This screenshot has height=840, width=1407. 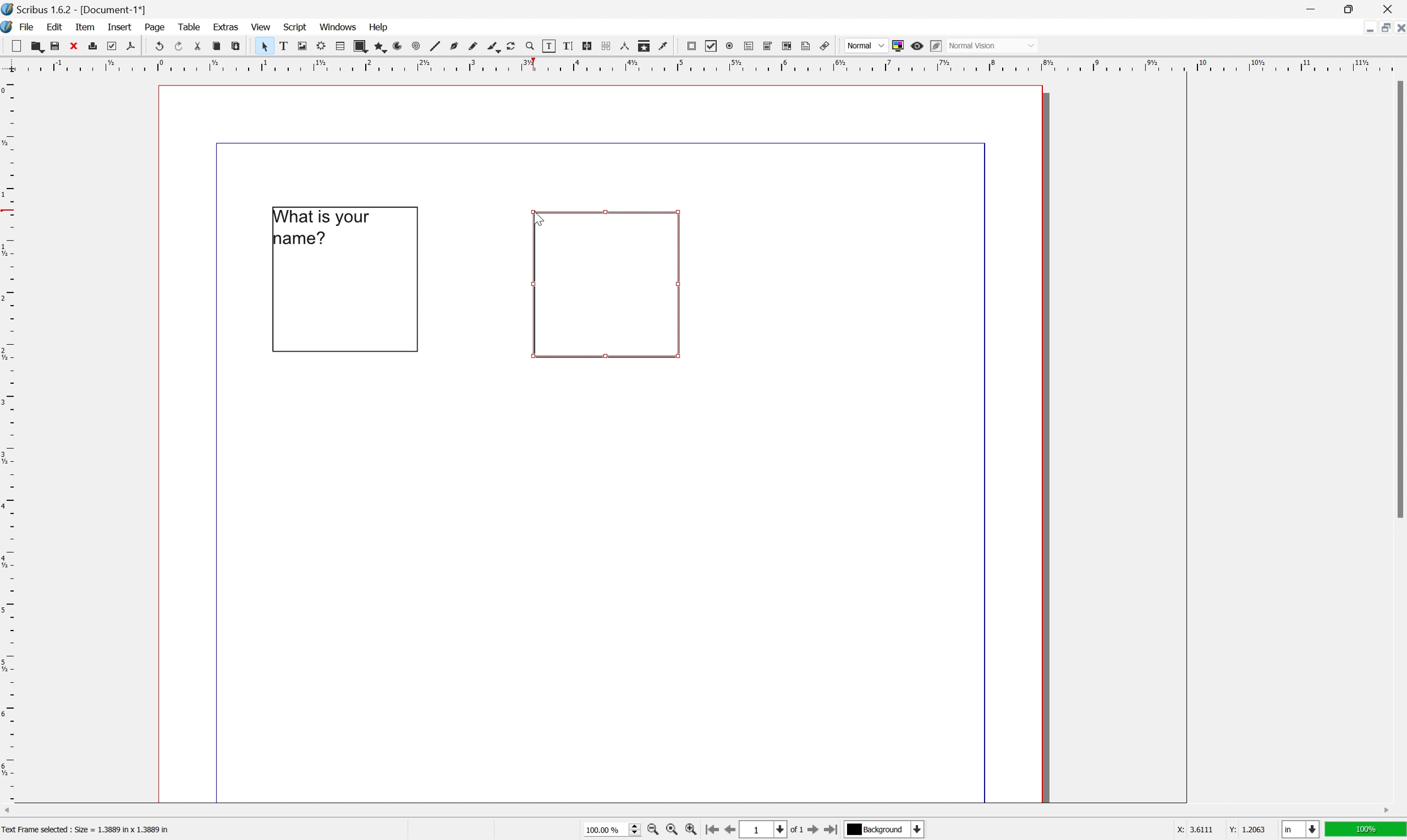 I want to click on pdf push button, so click(x=691, y=46).